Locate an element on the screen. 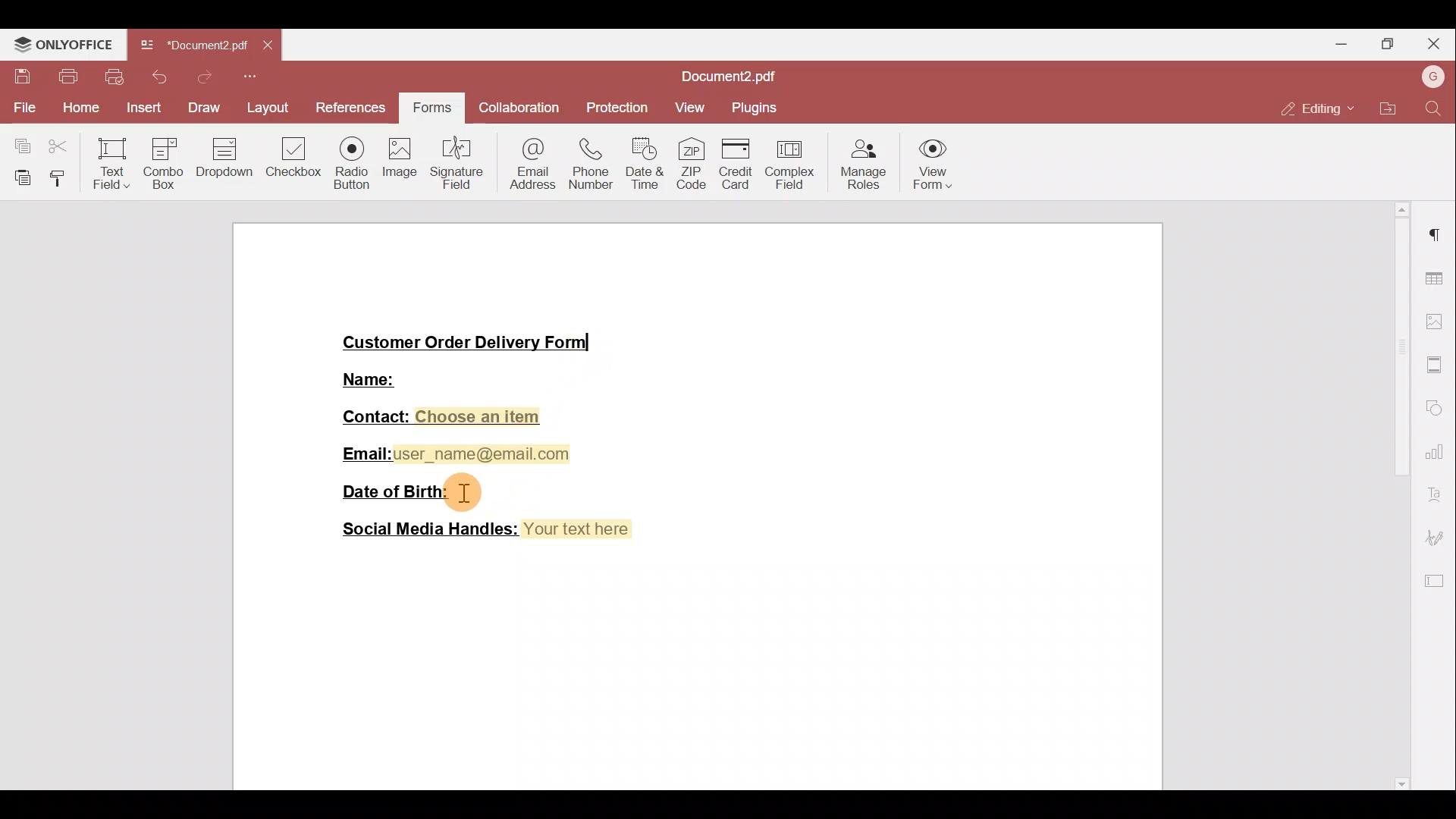 The image size is (1456, 819). Dropdown is located at coordinates (226, 161).